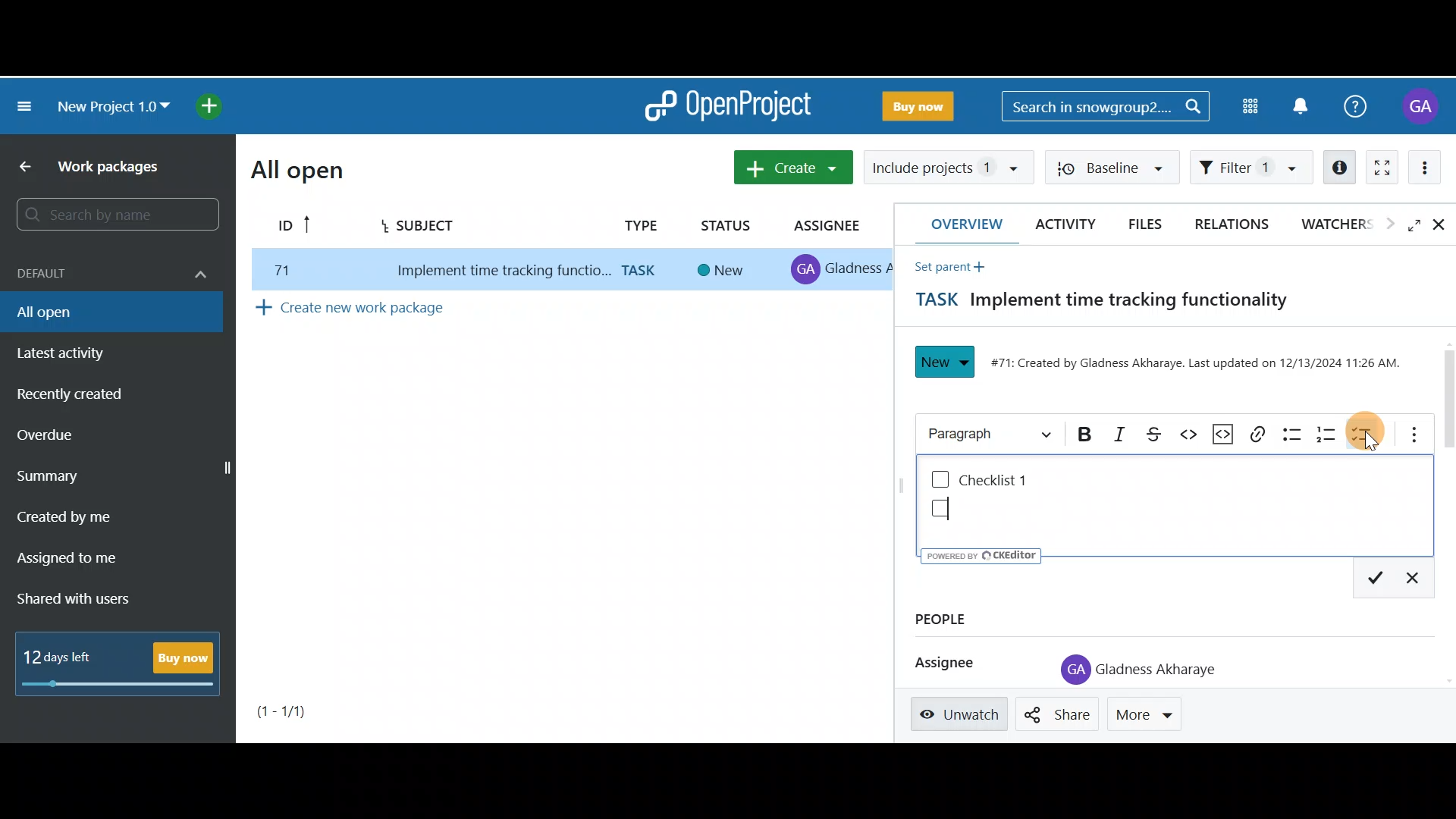  I want to click on Link, so click(1259, 432).